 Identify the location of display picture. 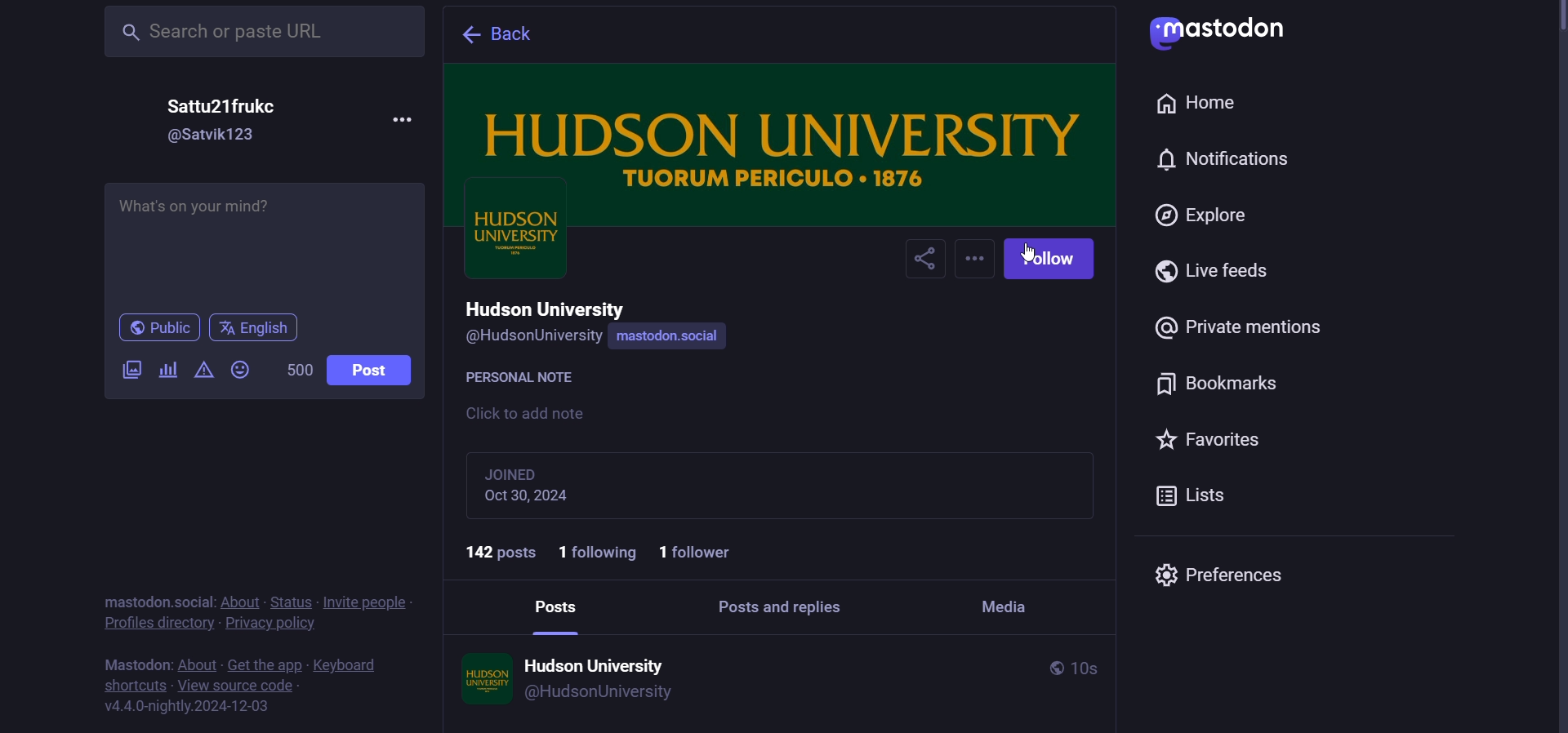
(514, 242).